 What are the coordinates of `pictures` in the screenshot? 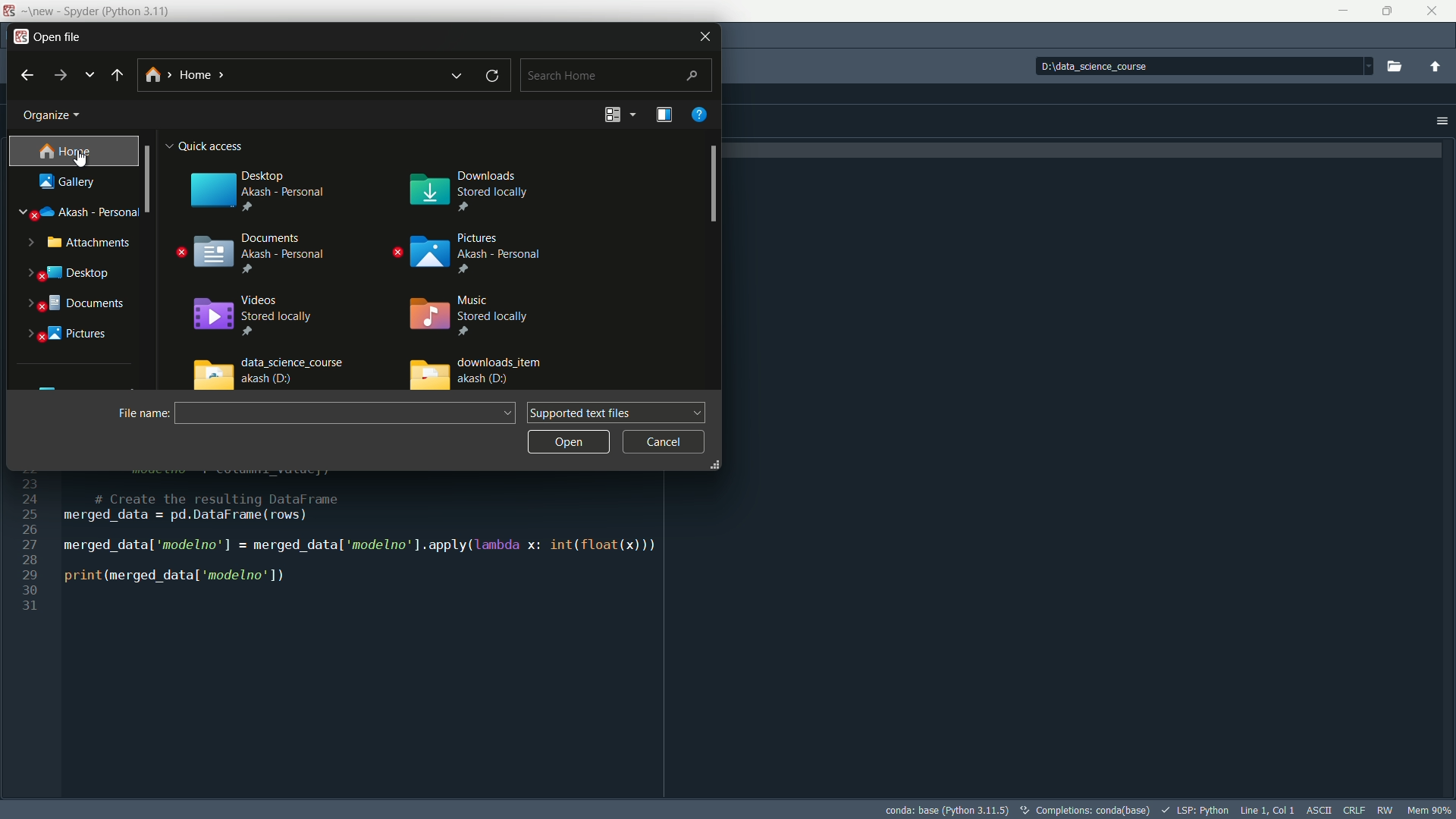 It's located at (472, 254).